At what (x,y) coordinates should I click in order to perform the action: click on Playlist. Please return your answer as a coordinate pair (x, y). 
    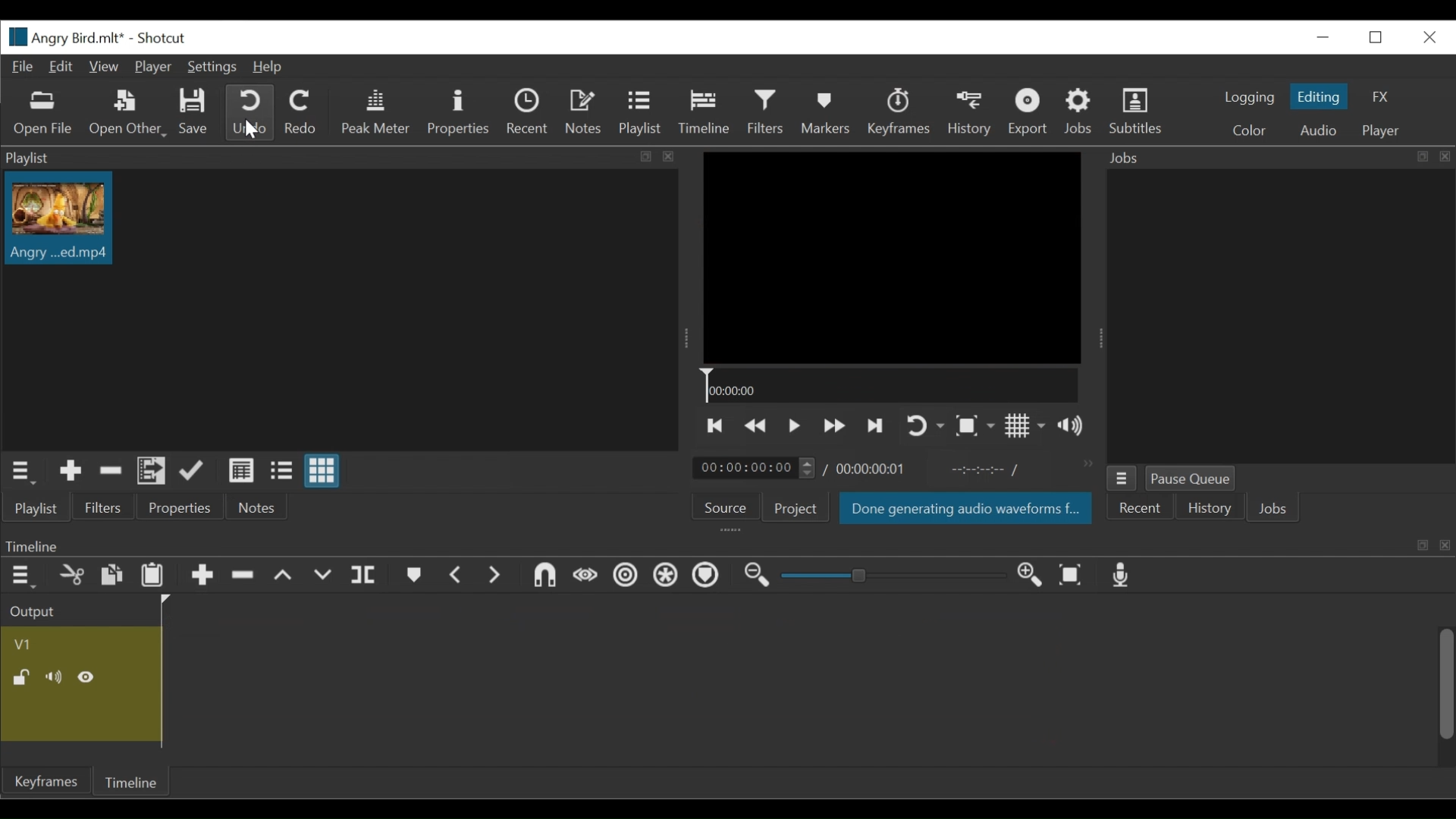
    Looking at the image, I should click on (642, 113).